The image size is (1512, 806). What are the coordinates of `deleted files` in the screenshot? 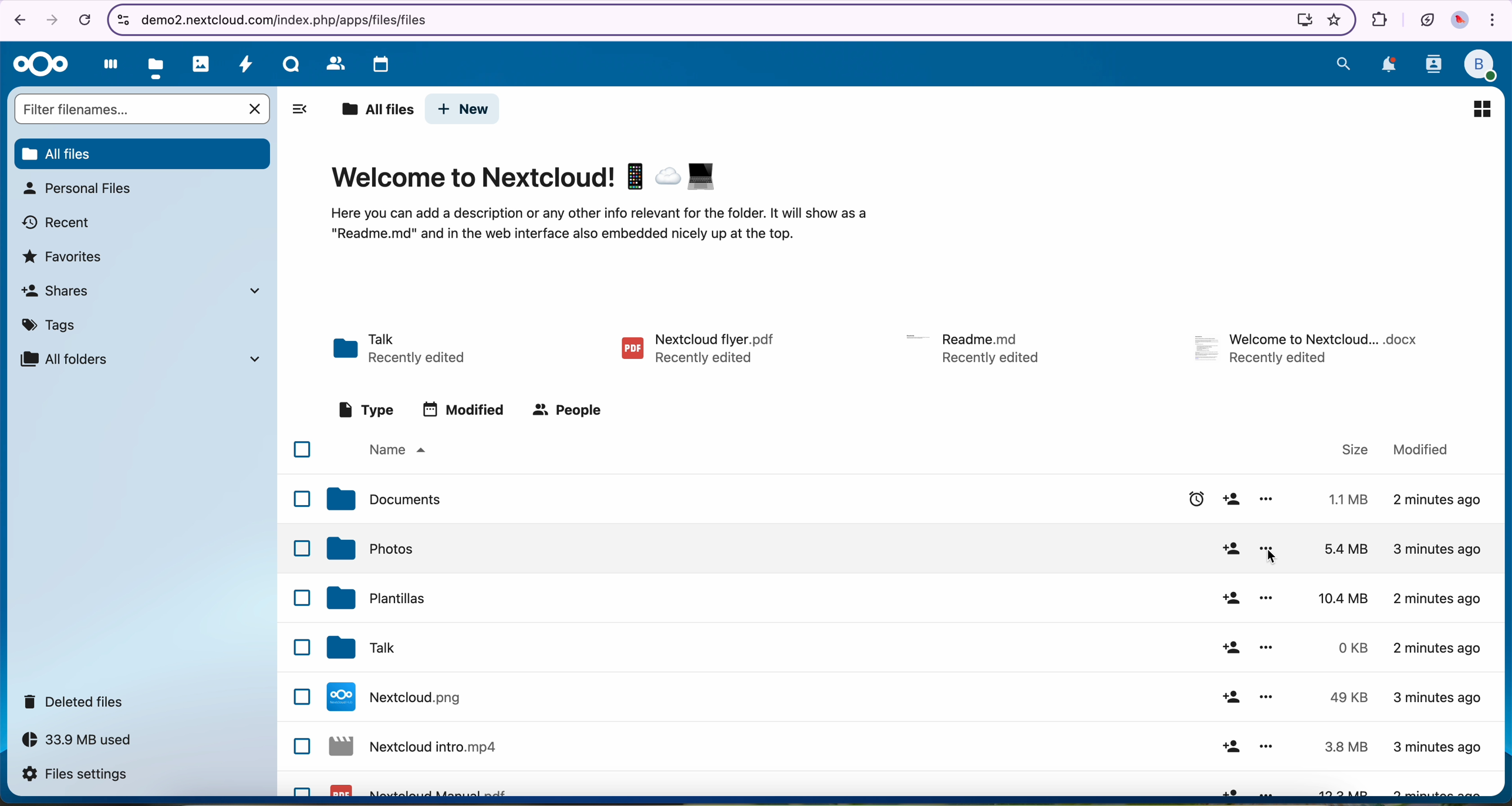 It's located at (76, 702).